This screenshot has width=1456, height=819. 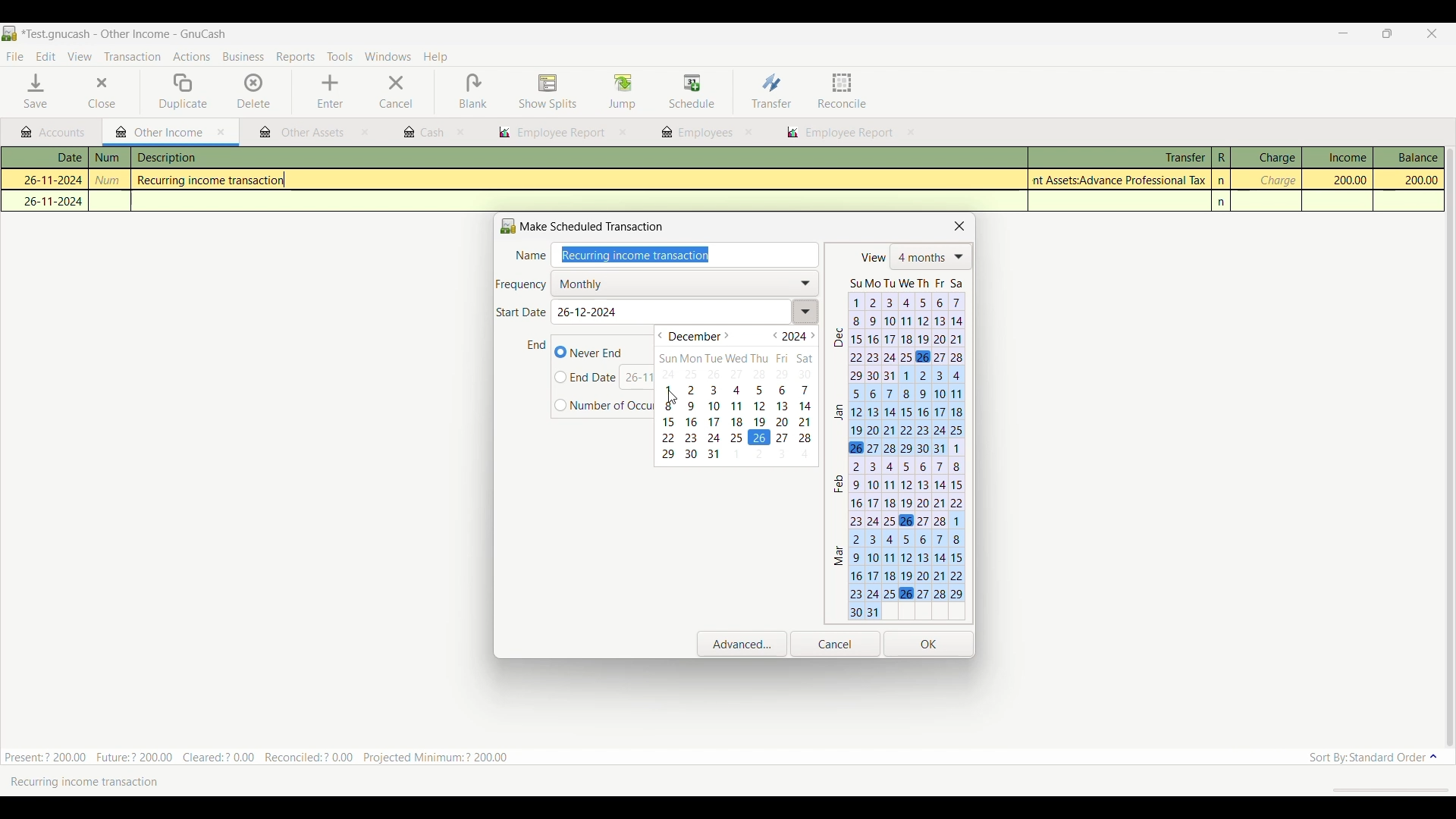 What do you see at coordinates (551, 133) in the screenshot?
I see `employee report` at bounding box center [551, 133].